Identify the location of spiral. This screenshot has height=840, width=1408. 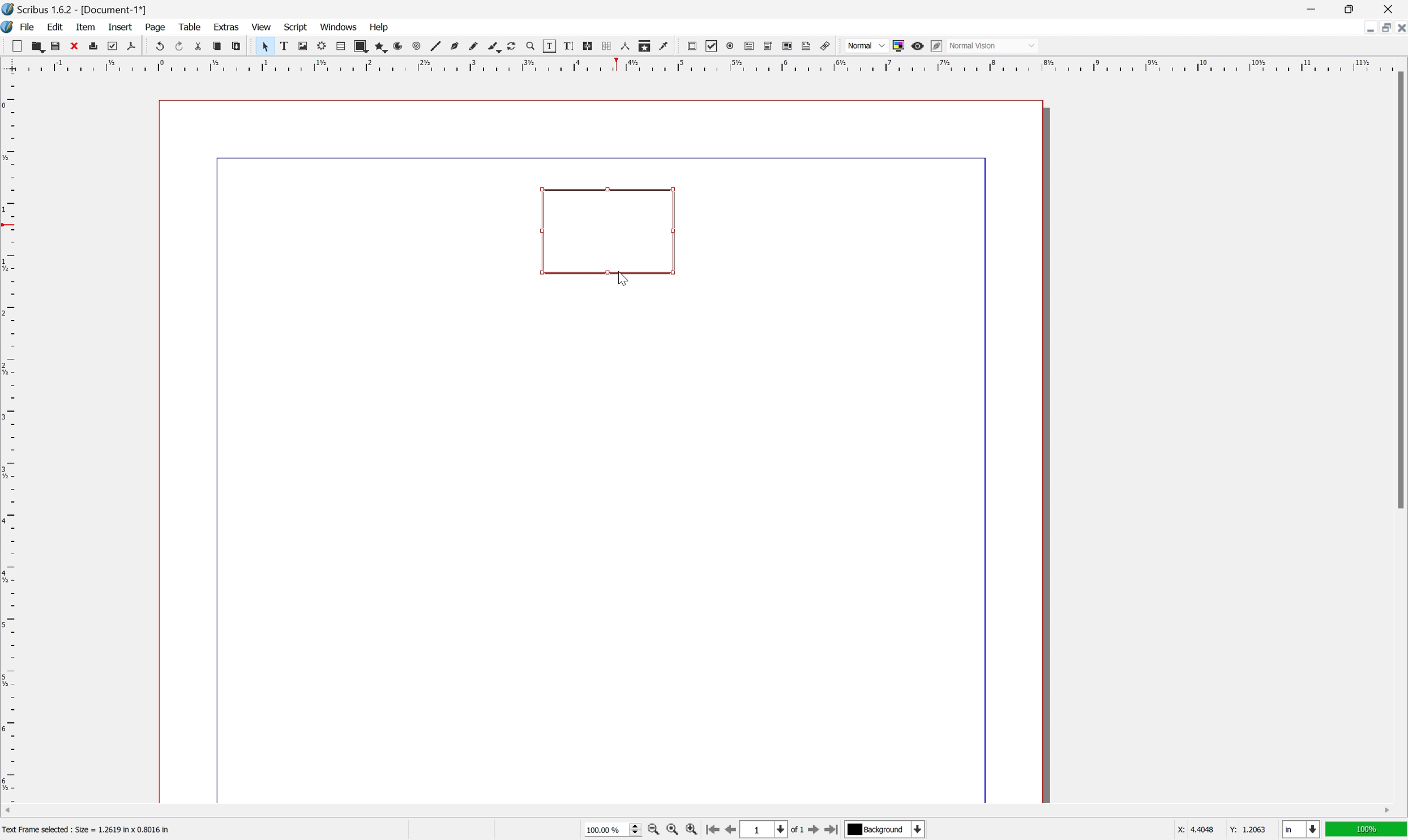
(417, 46).